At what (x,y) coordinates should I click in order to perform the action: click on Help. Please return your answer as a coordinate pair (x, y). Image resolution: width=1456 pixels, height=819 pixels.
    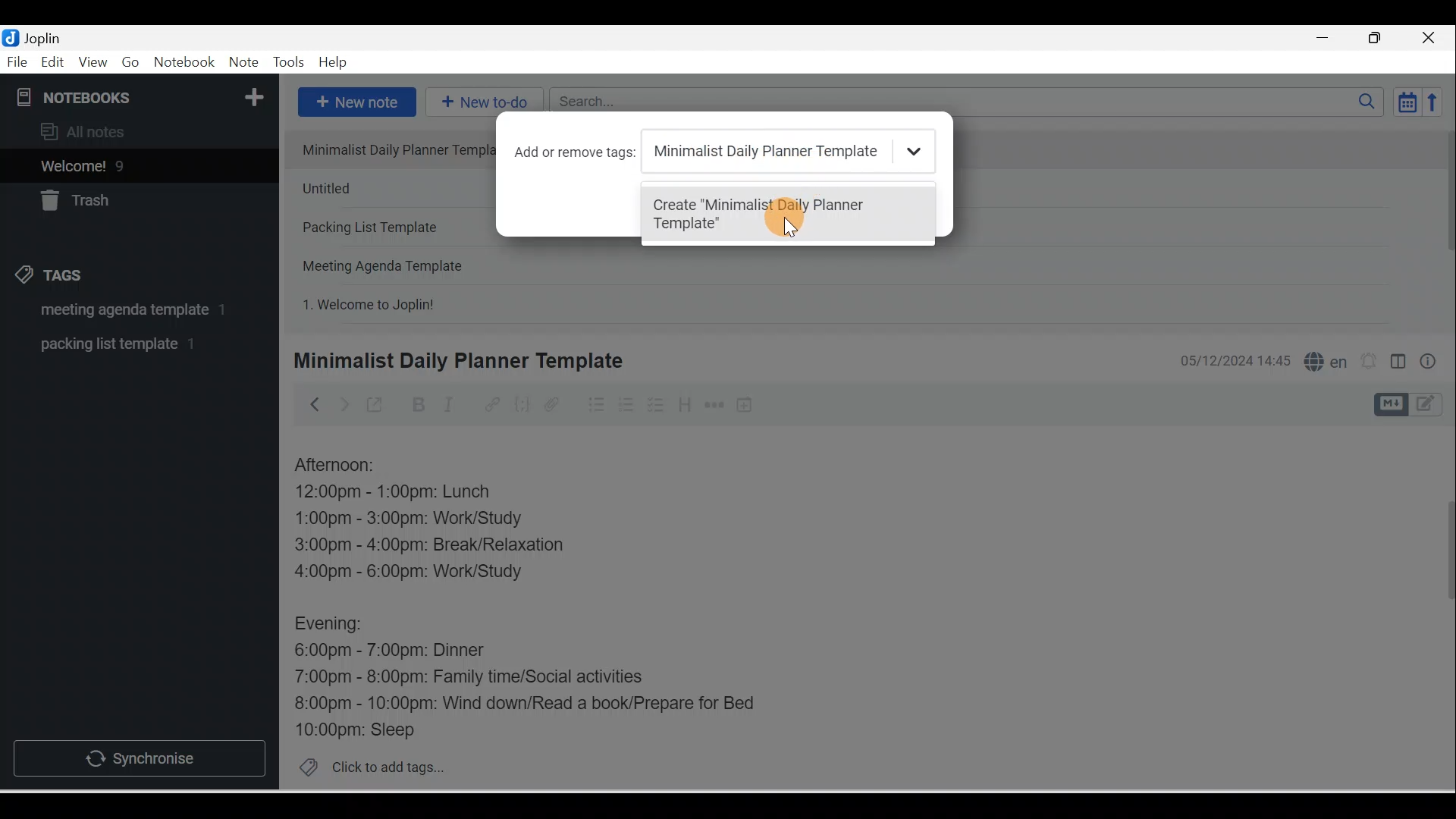
    Looking at the image, I should click on (334, 63).